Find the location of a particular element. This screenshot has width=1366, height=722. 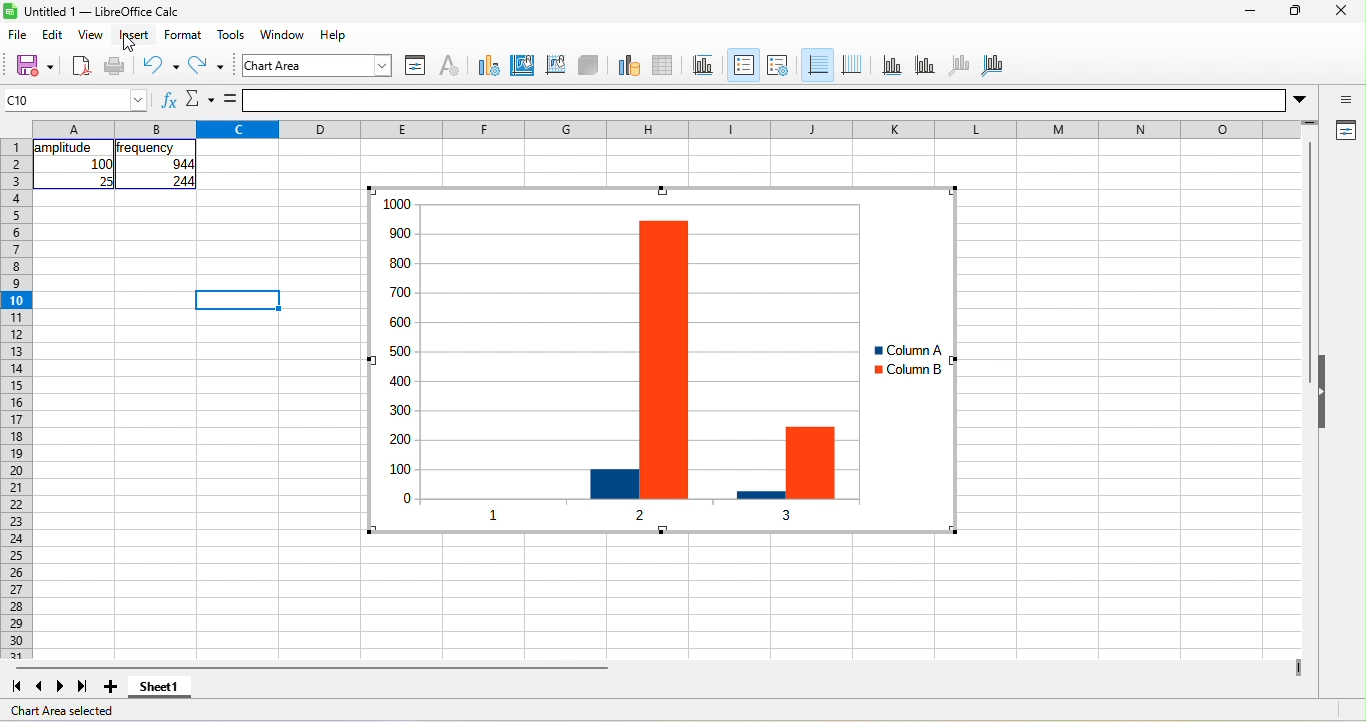

format selection is located at coordinates (413, 65).